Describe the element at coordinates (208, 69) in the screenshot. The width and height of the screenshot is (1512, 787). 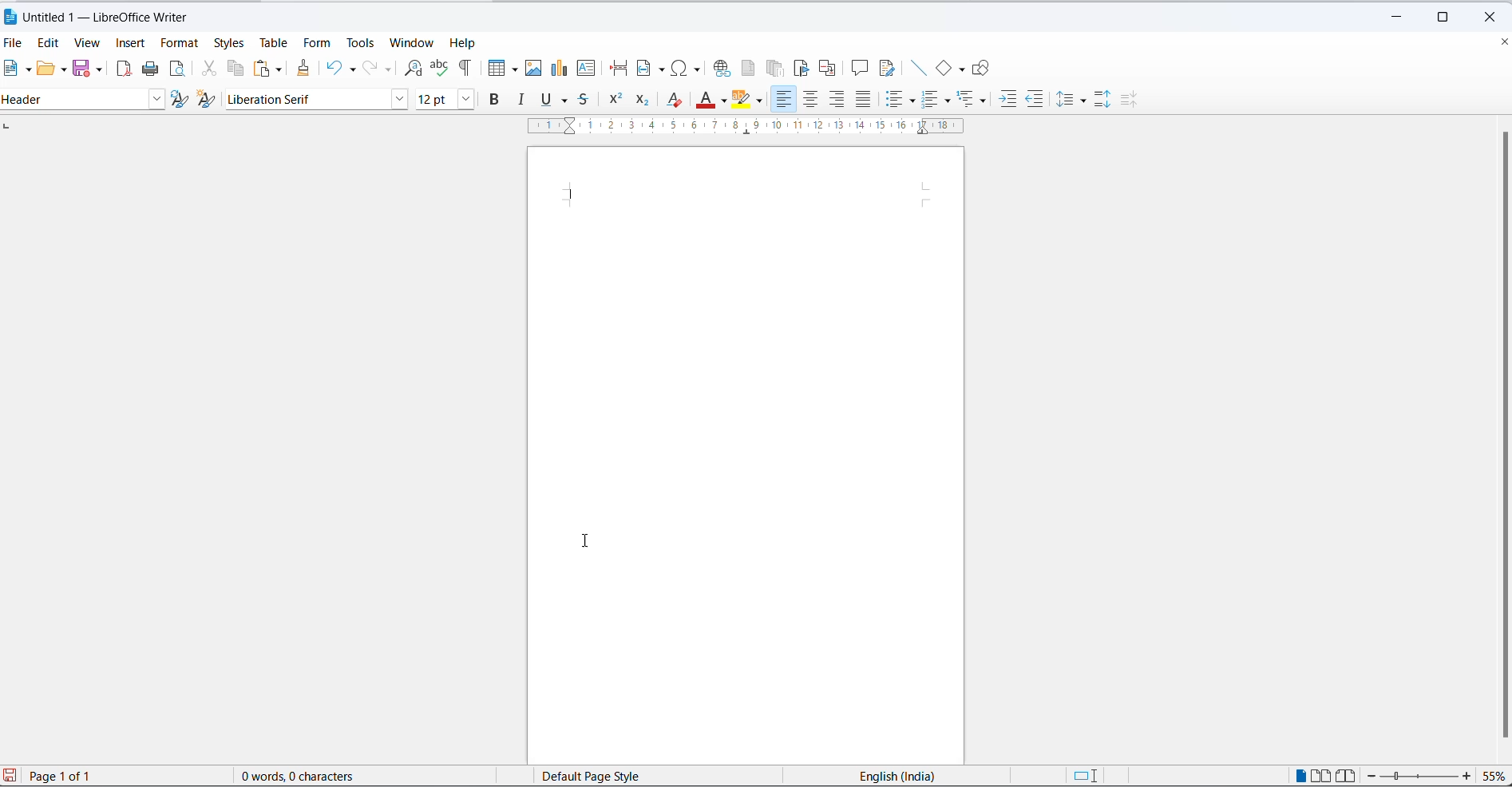
I see `cut` at that location.